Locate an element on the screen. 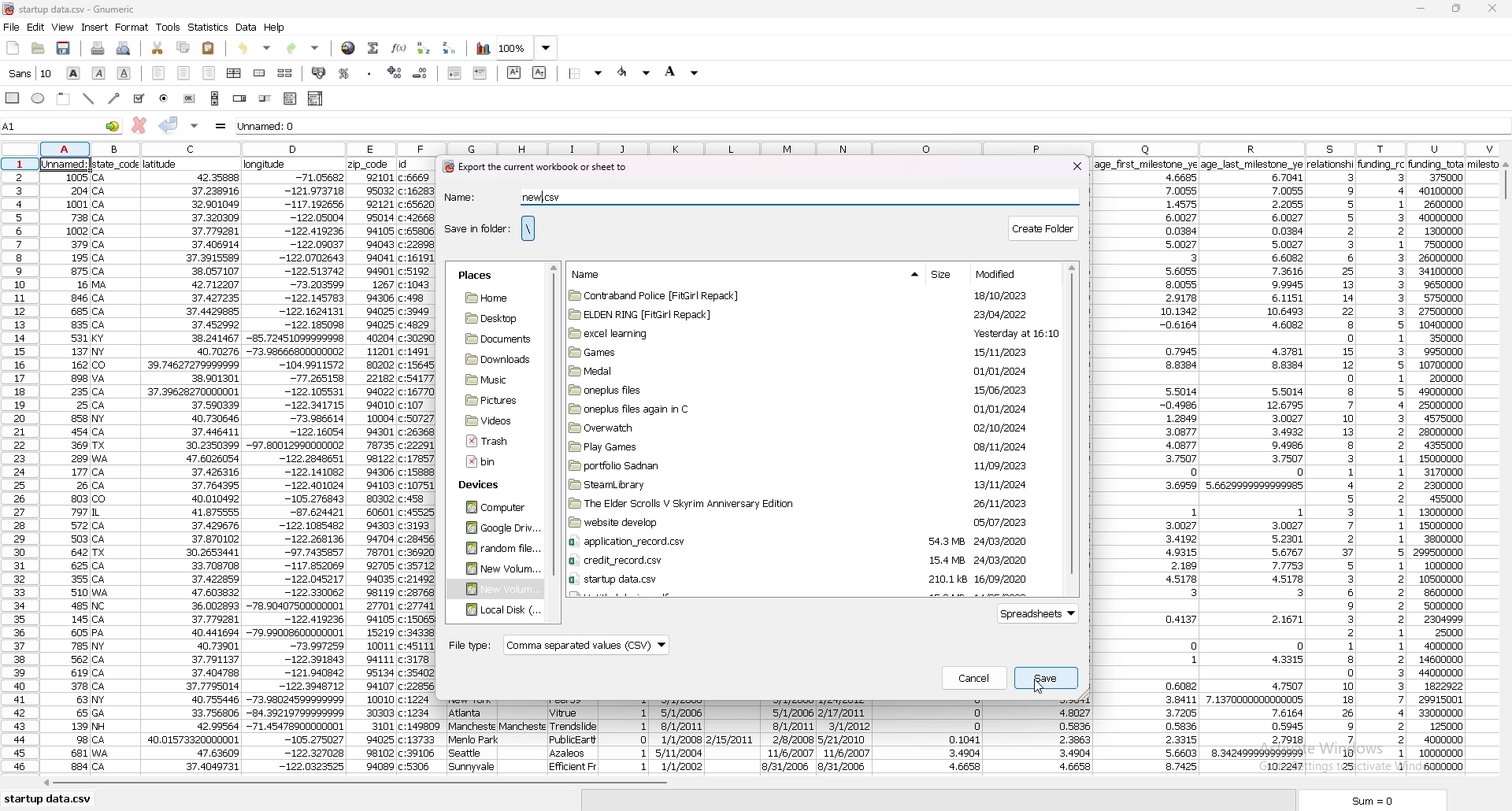  folder is located at coordinates (806, 523).